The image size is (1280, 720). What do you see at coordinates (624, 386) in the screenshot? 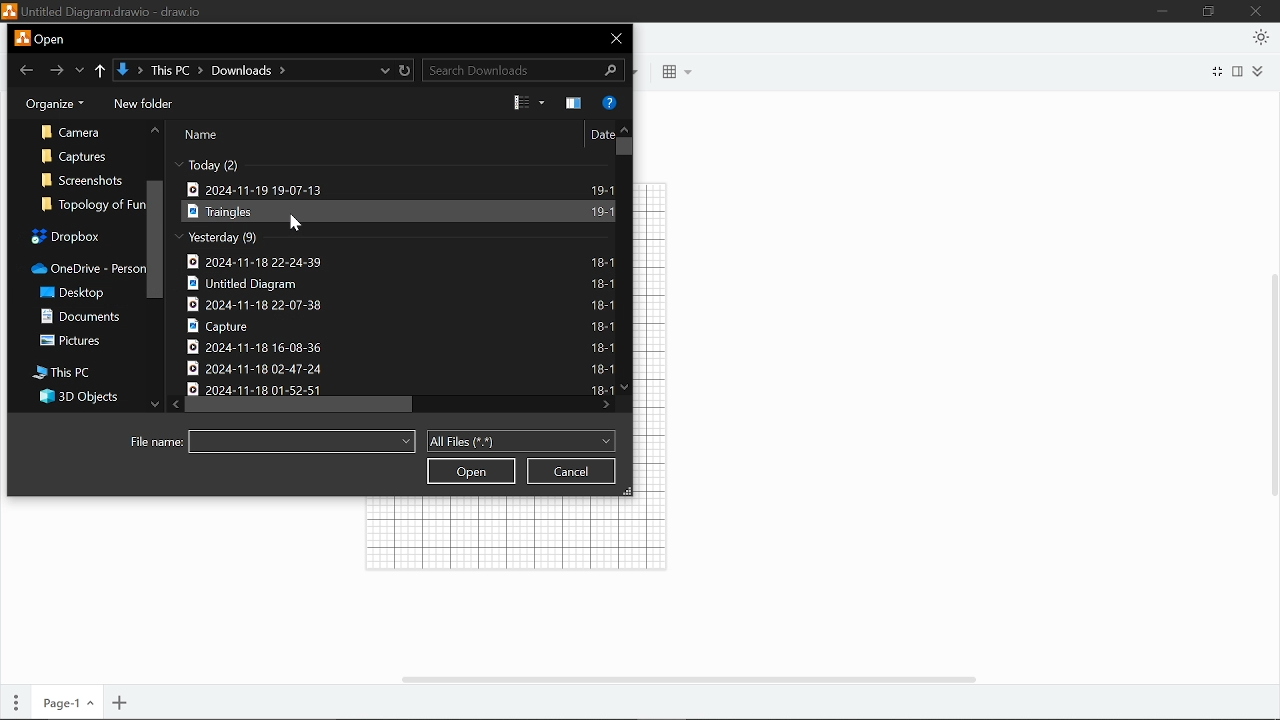
I see `Move down in files` at bounding box center [624, 386].